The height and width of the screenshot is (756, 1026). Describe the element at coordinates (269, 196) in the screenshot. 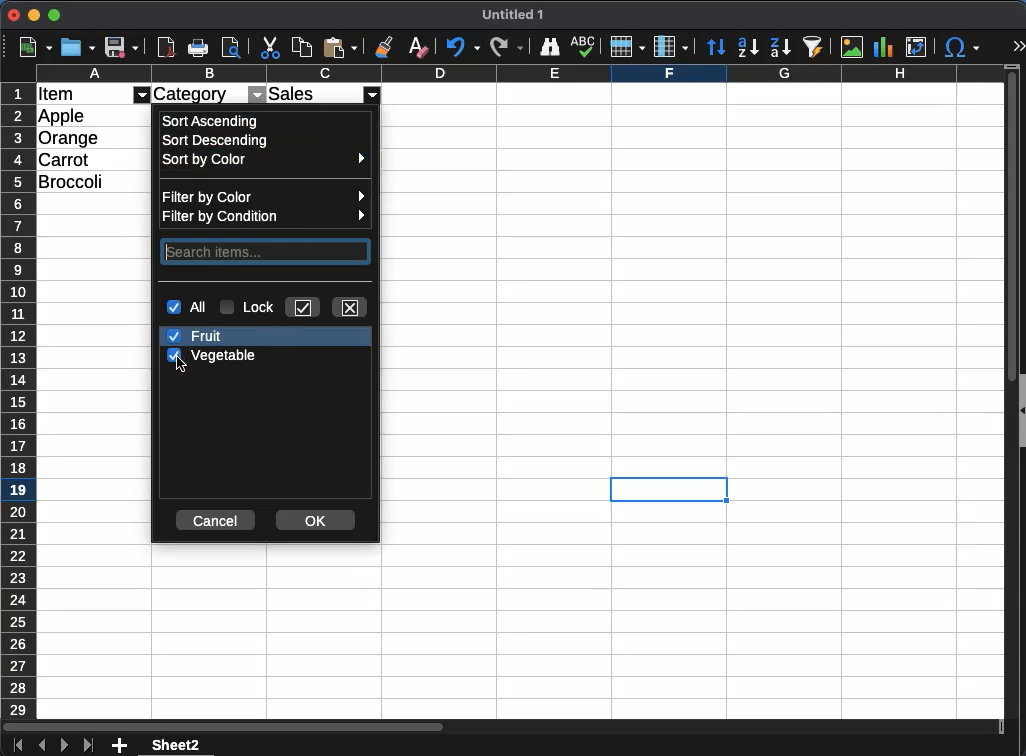

I see `filter by color` at that location.